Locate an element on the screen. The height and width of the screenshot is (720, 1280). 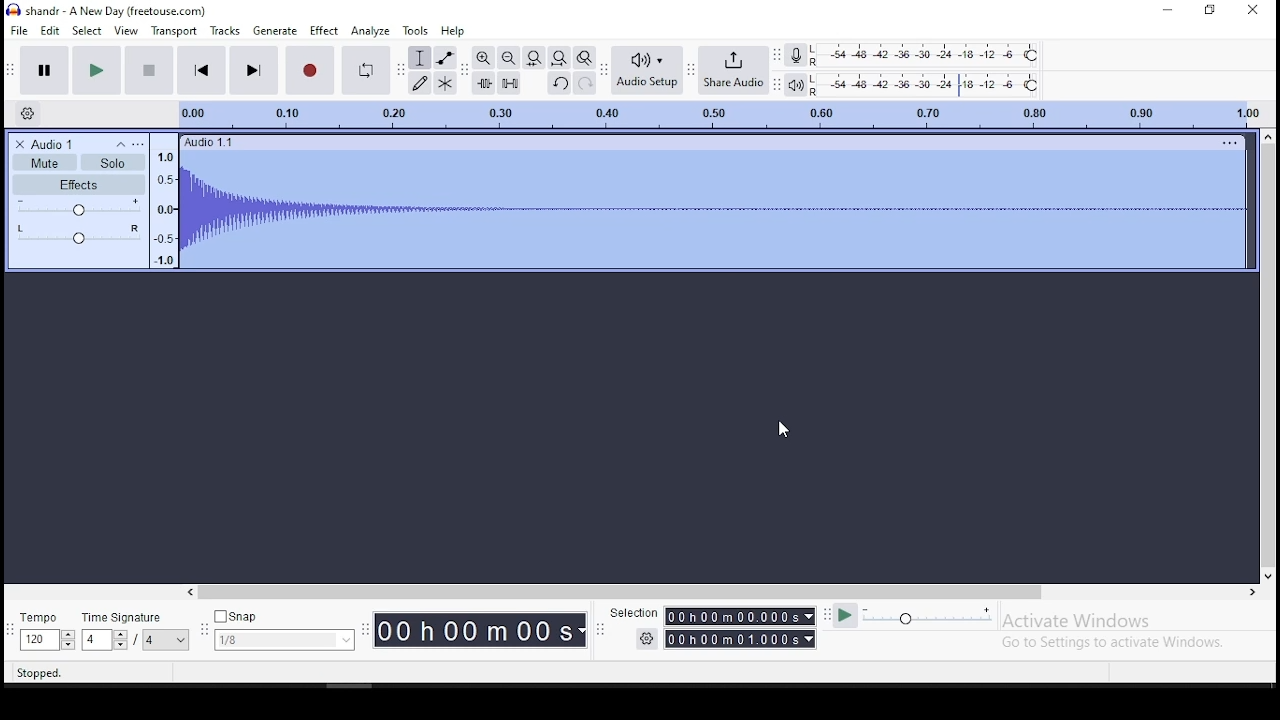
enable looping is located at coordinates (366, 70).